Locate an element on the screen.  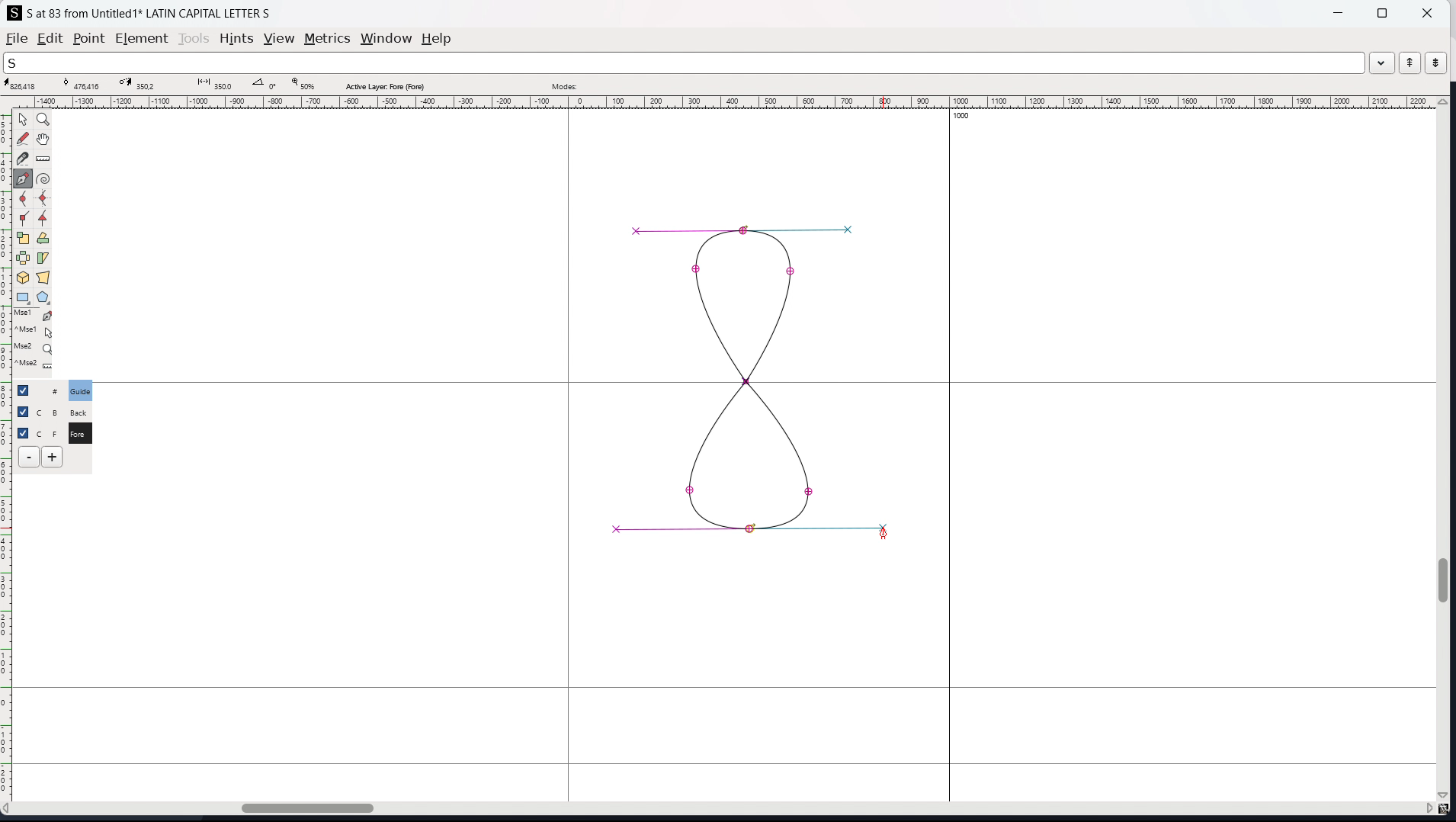
pointer is located at coordinates (24, 119).